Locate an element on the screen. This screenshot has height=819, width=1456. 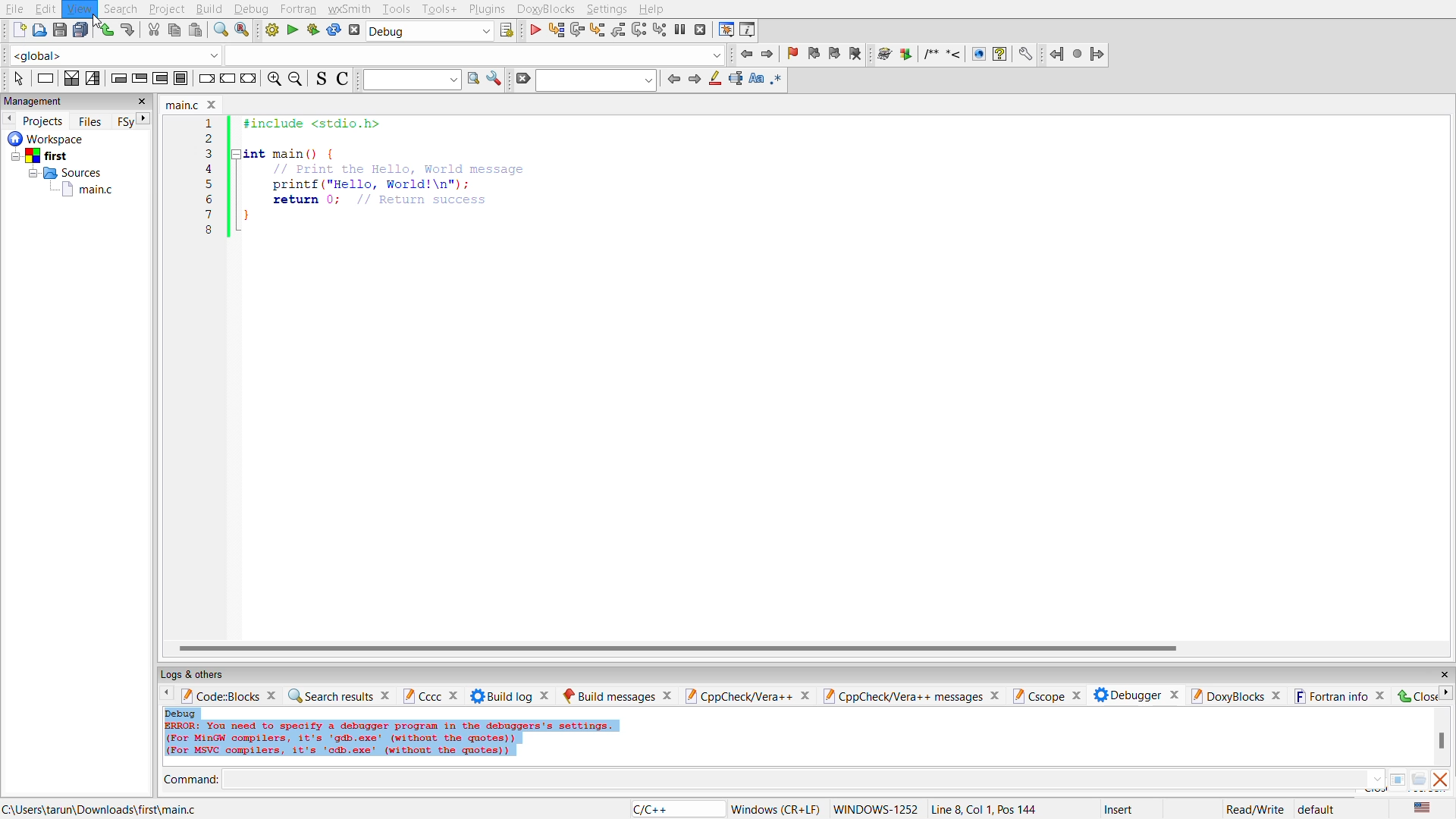
search is located at coordinates (596, 80).